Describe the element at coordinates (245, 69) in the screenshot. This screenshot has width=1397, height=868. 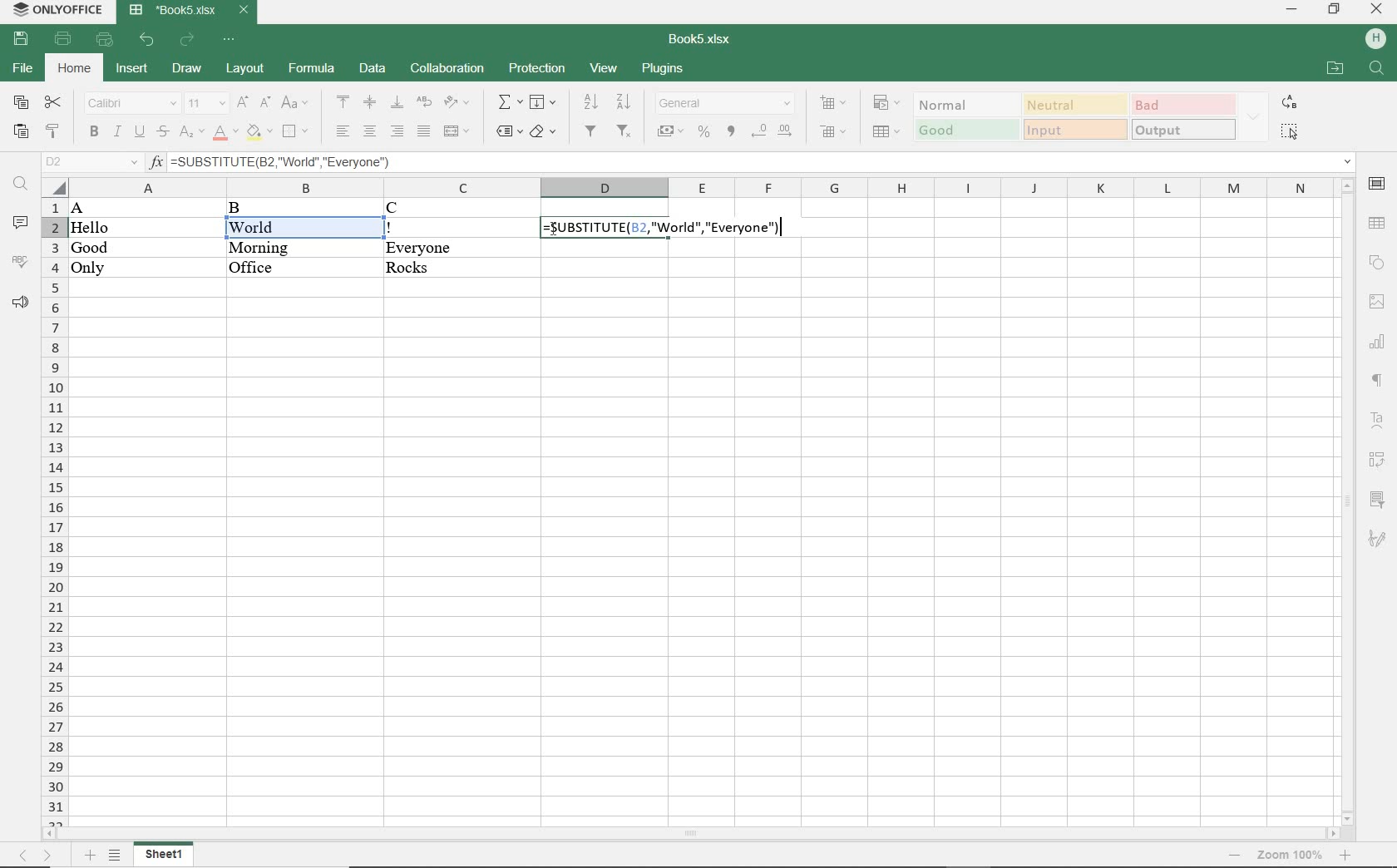
I see `layout` at that location.